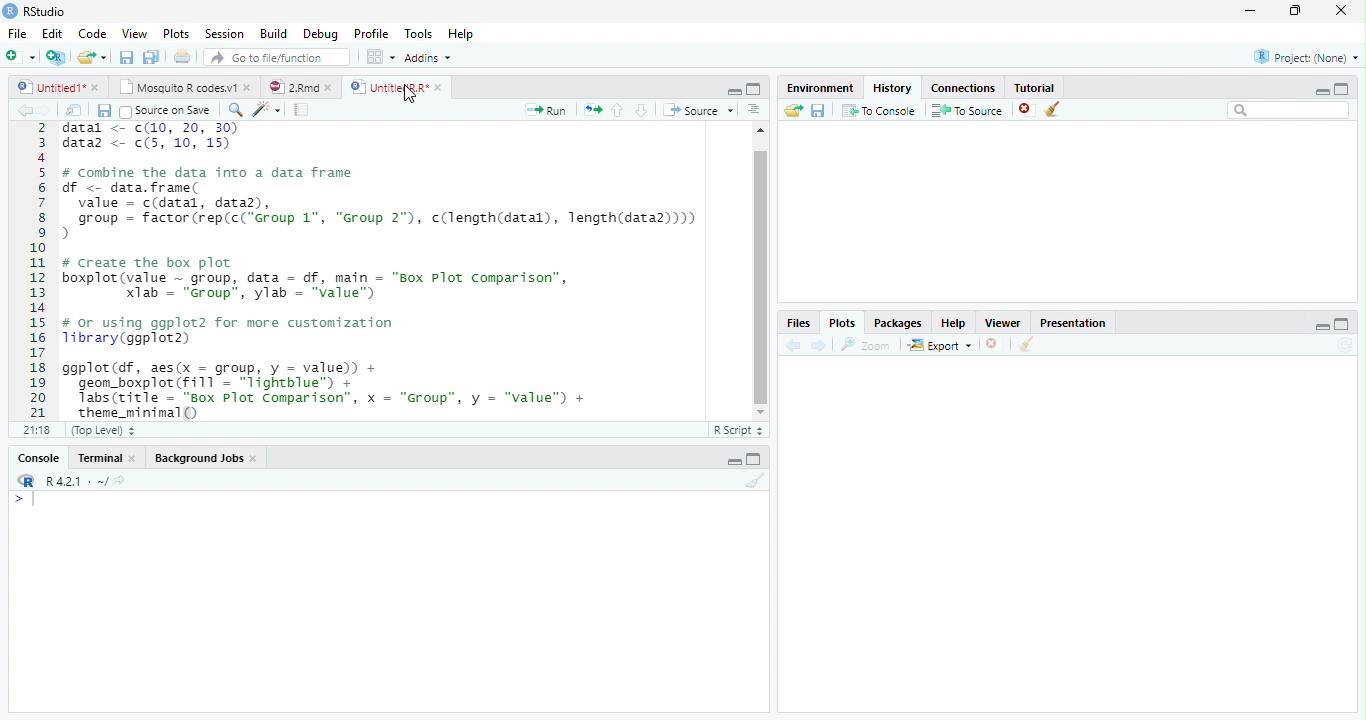 The height and width of the screenshot is (720, 1366). What do you see at coordinates (1341, 10) in the screenshot?
I see `close` at bounding box center [1341, 10].